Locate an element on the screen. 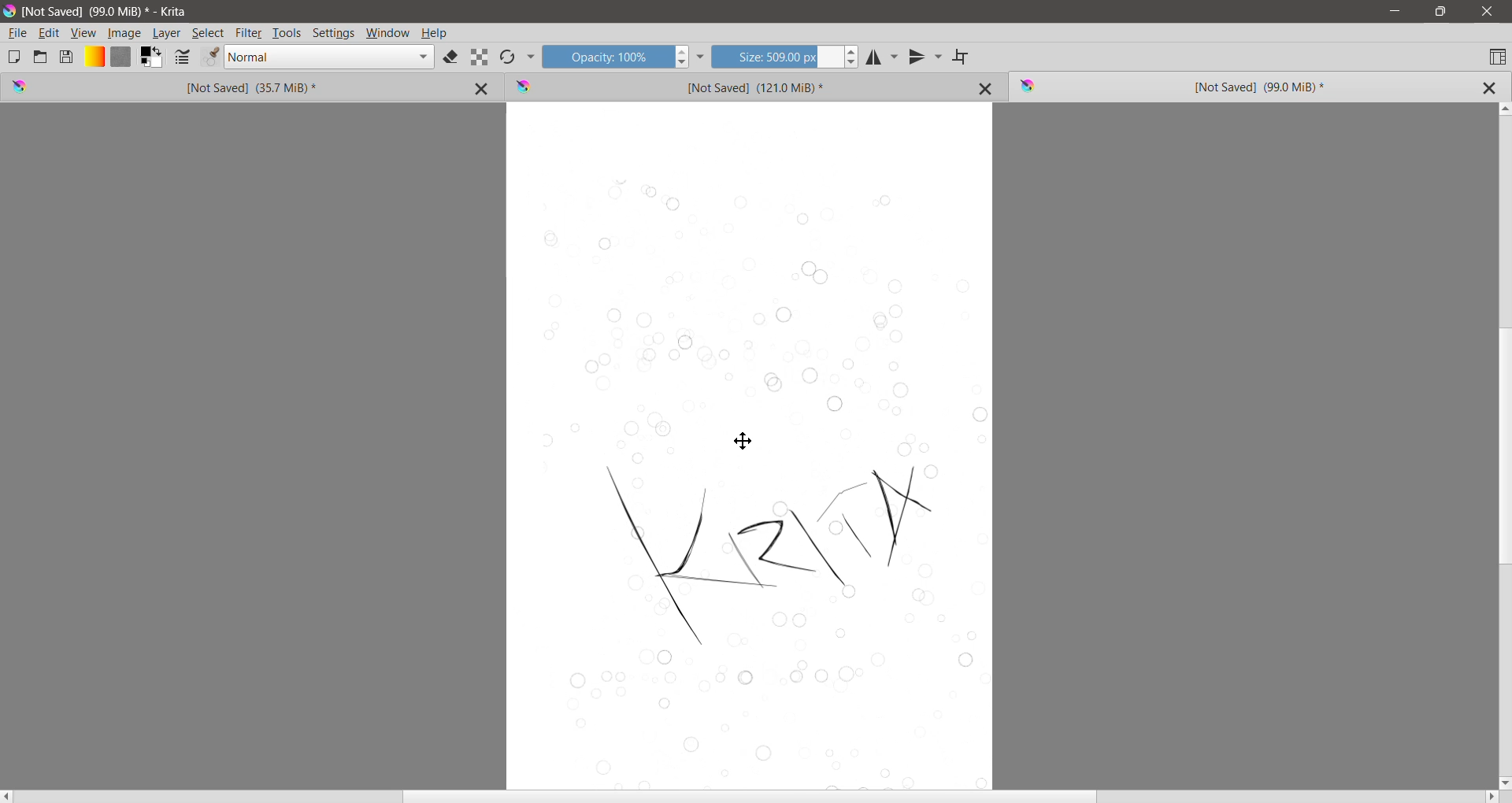 This screenshot has width=1512, height=803. Image is located at coordinates (124, 34).